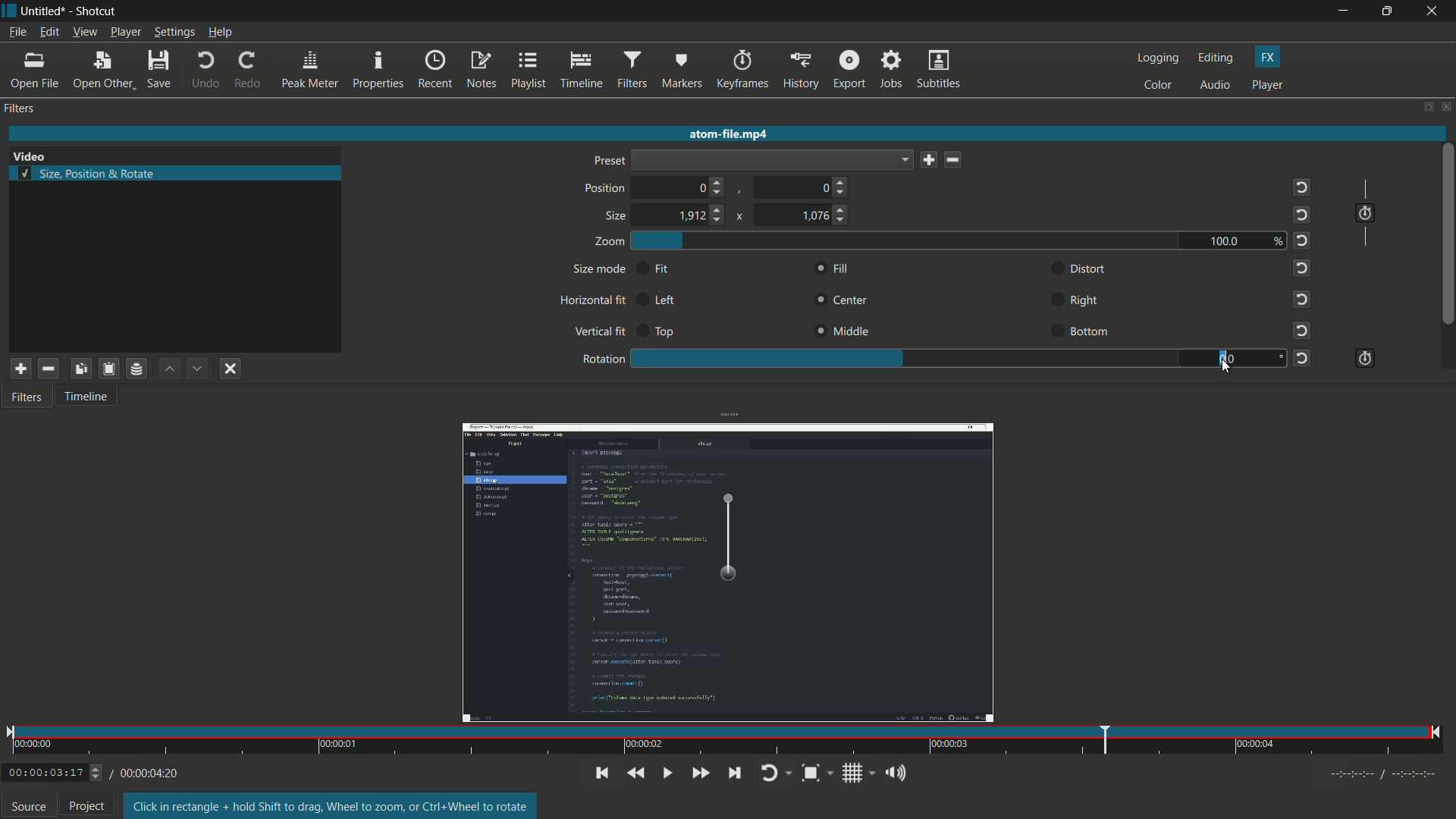  I want to click on player, so click(1270, 85).